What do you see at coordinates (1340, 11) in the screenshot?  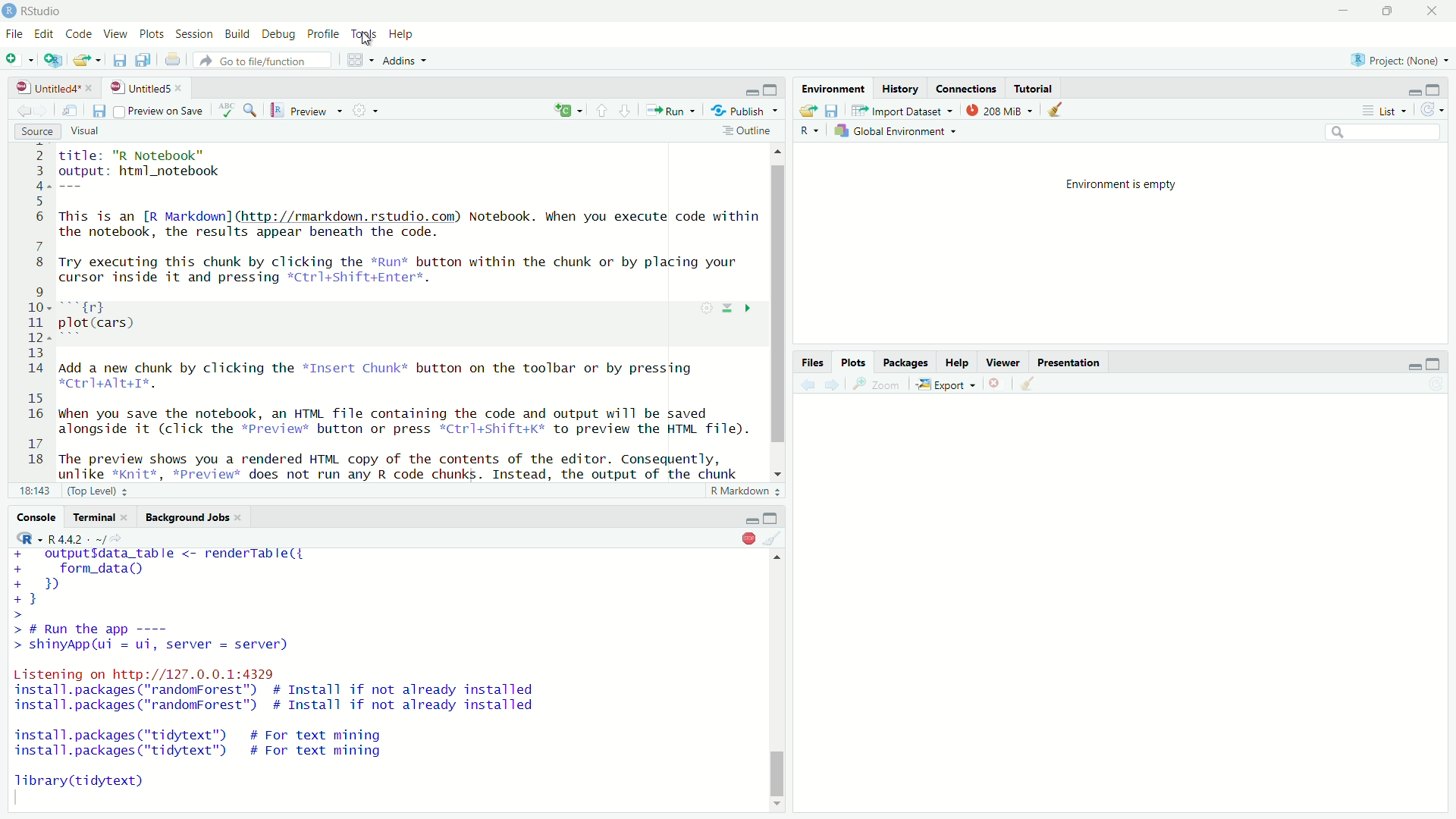 I see `minimise` at bounding box center [1340, 11].